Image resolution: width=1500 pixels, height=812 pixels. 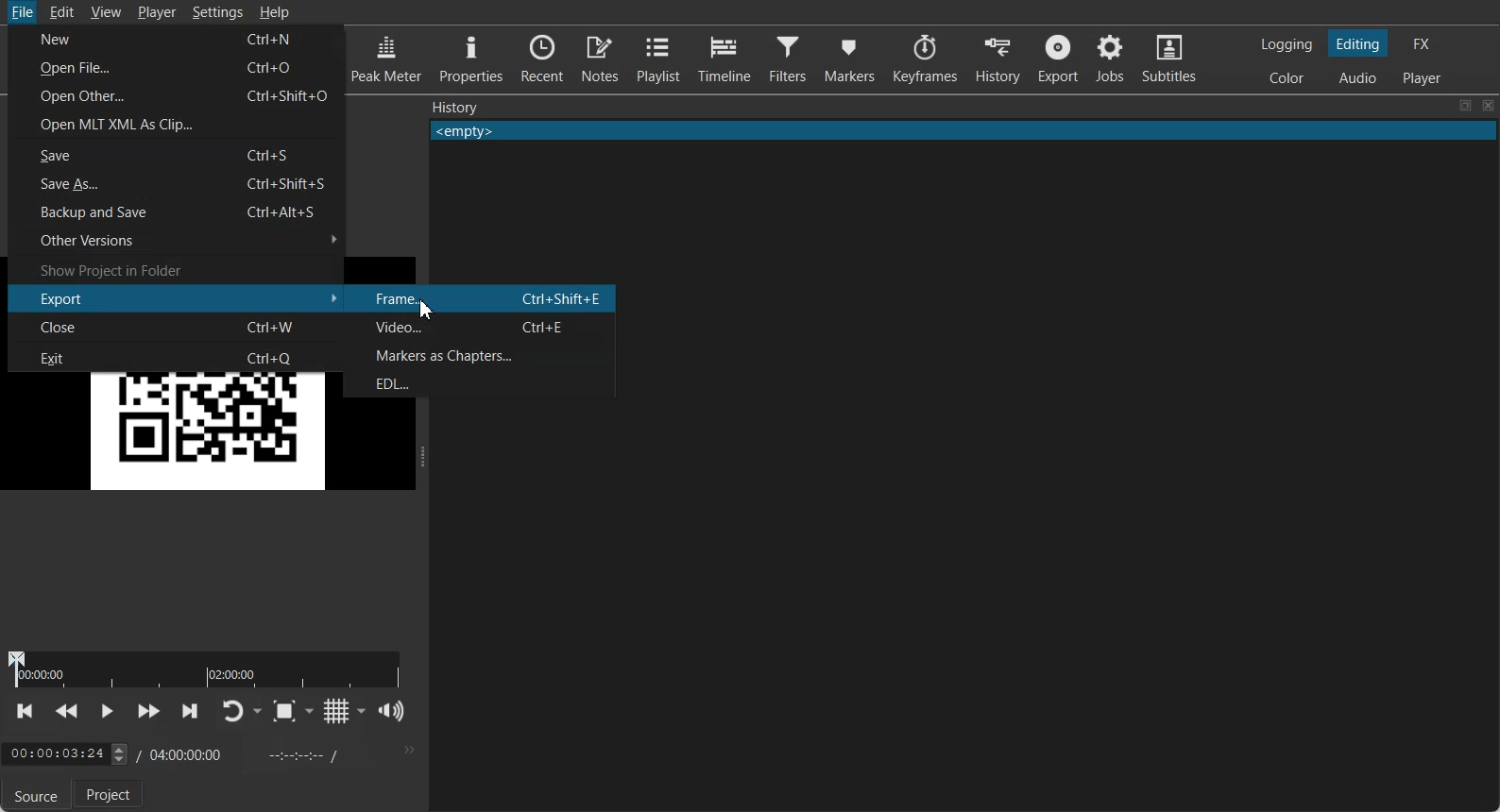 I want to click on More, so click(x=407, y=750).